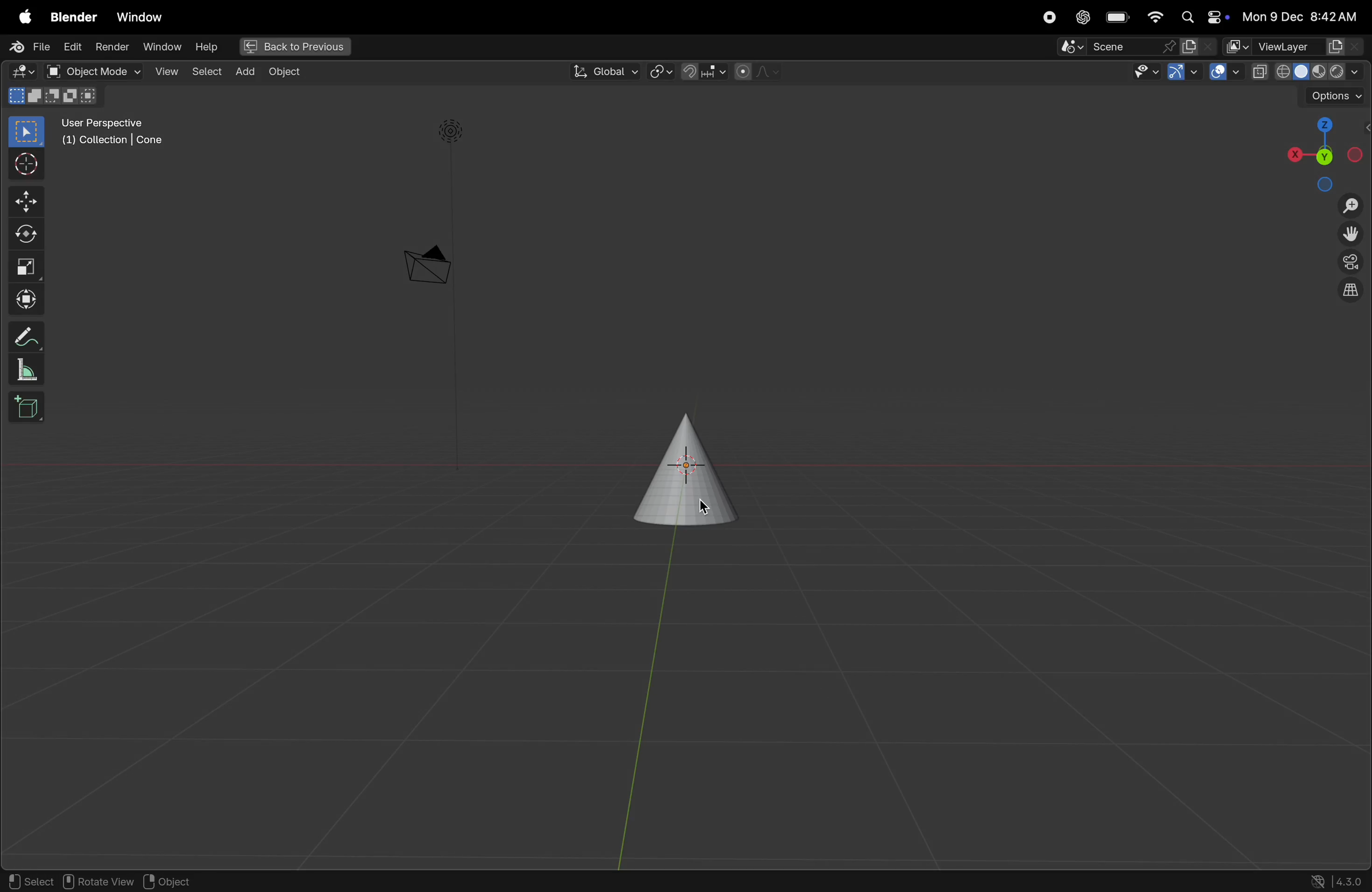  Describe the element at coordinates (427, 265) in the screenshot. I see `camera perscpetive` at that location.